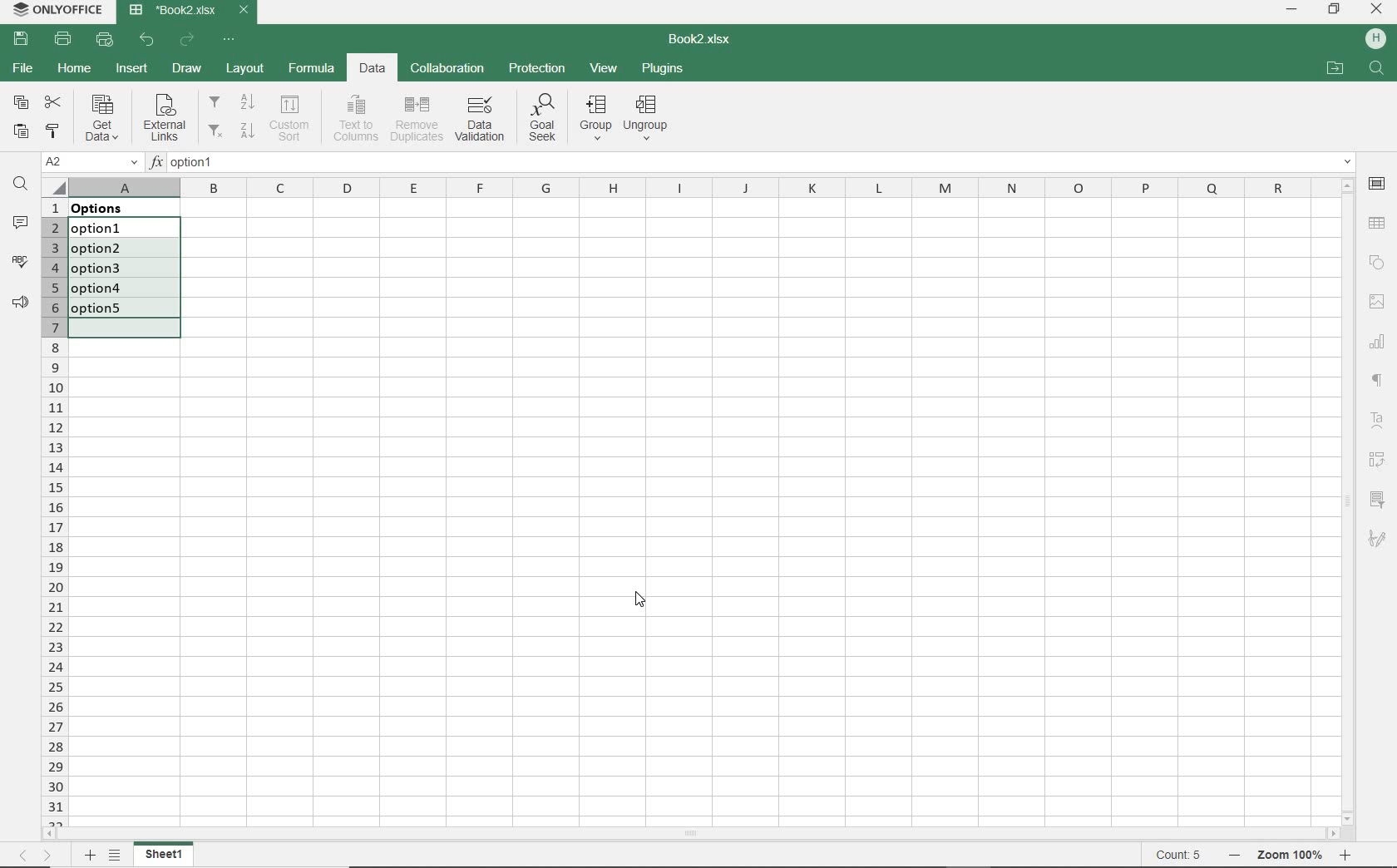  What do you see at coordinates (309, 70) in the screenshot?
I see `FORMULA` at bounding box center [309, 70].